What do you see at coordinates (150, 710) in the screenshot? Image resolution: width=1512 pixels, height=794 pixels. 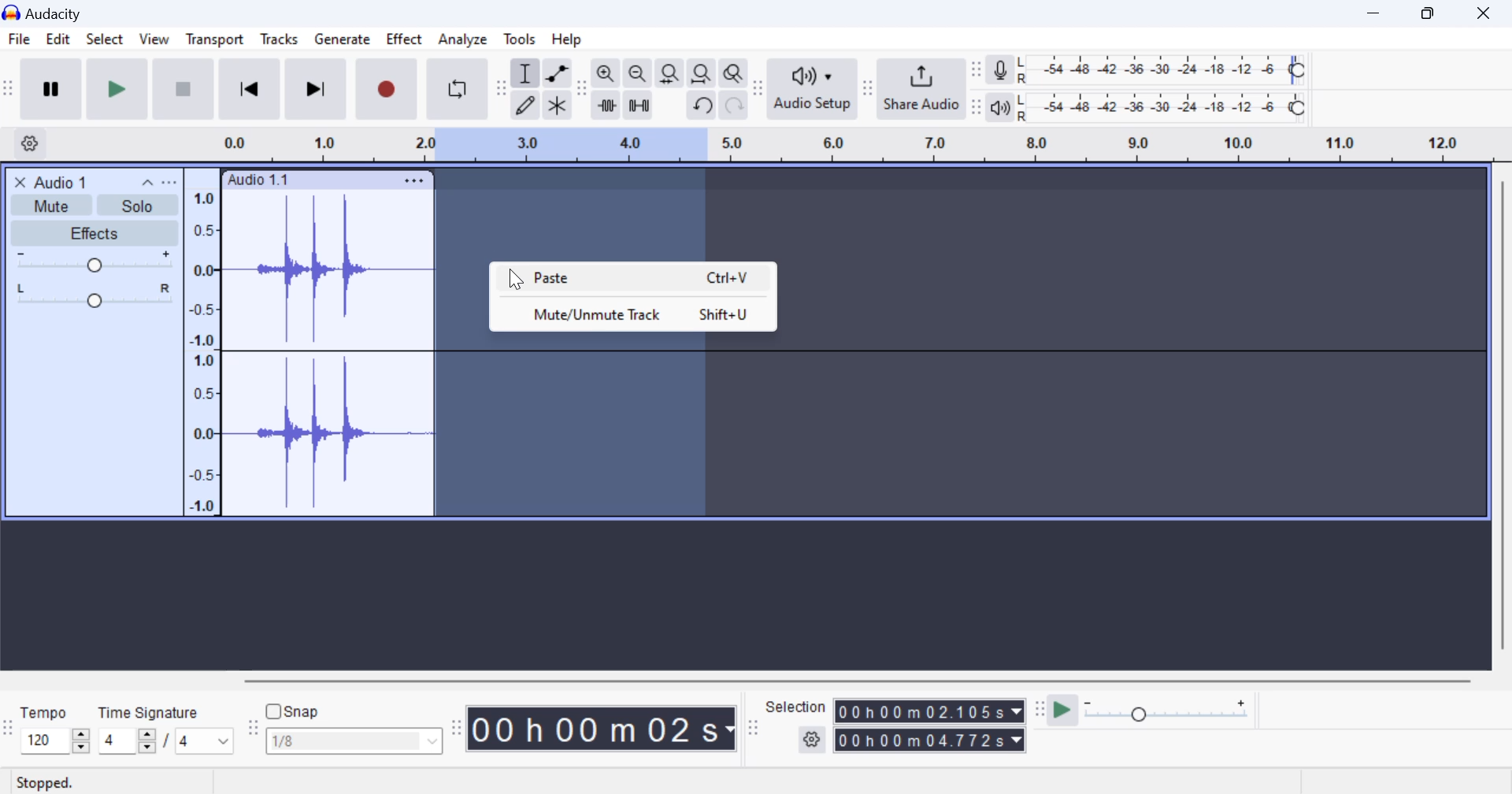 I see `Time Signature` at bounding box center [150, 710].